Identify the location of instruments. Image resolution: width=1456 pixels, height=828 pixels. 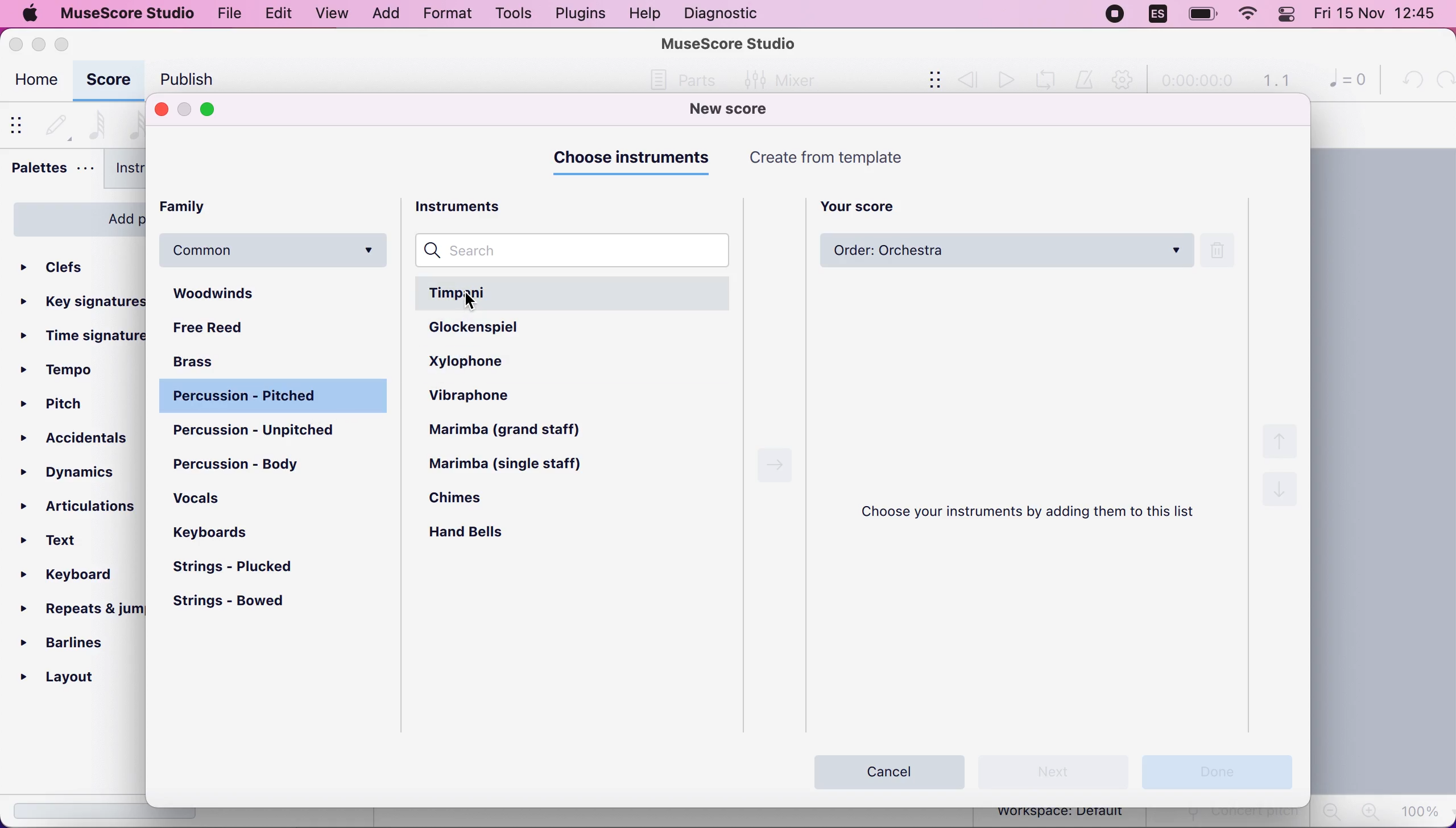
(149, 171).